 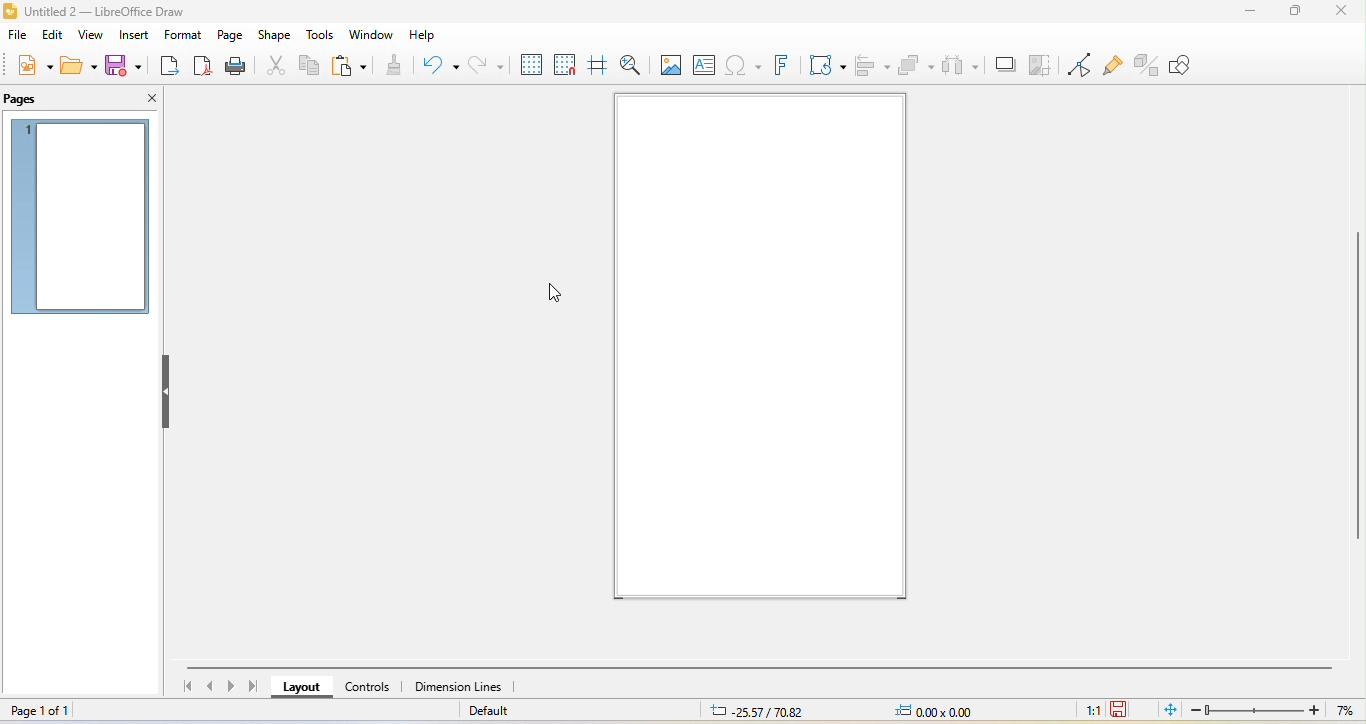 I want to click on hide, so click(x=167, y=393).